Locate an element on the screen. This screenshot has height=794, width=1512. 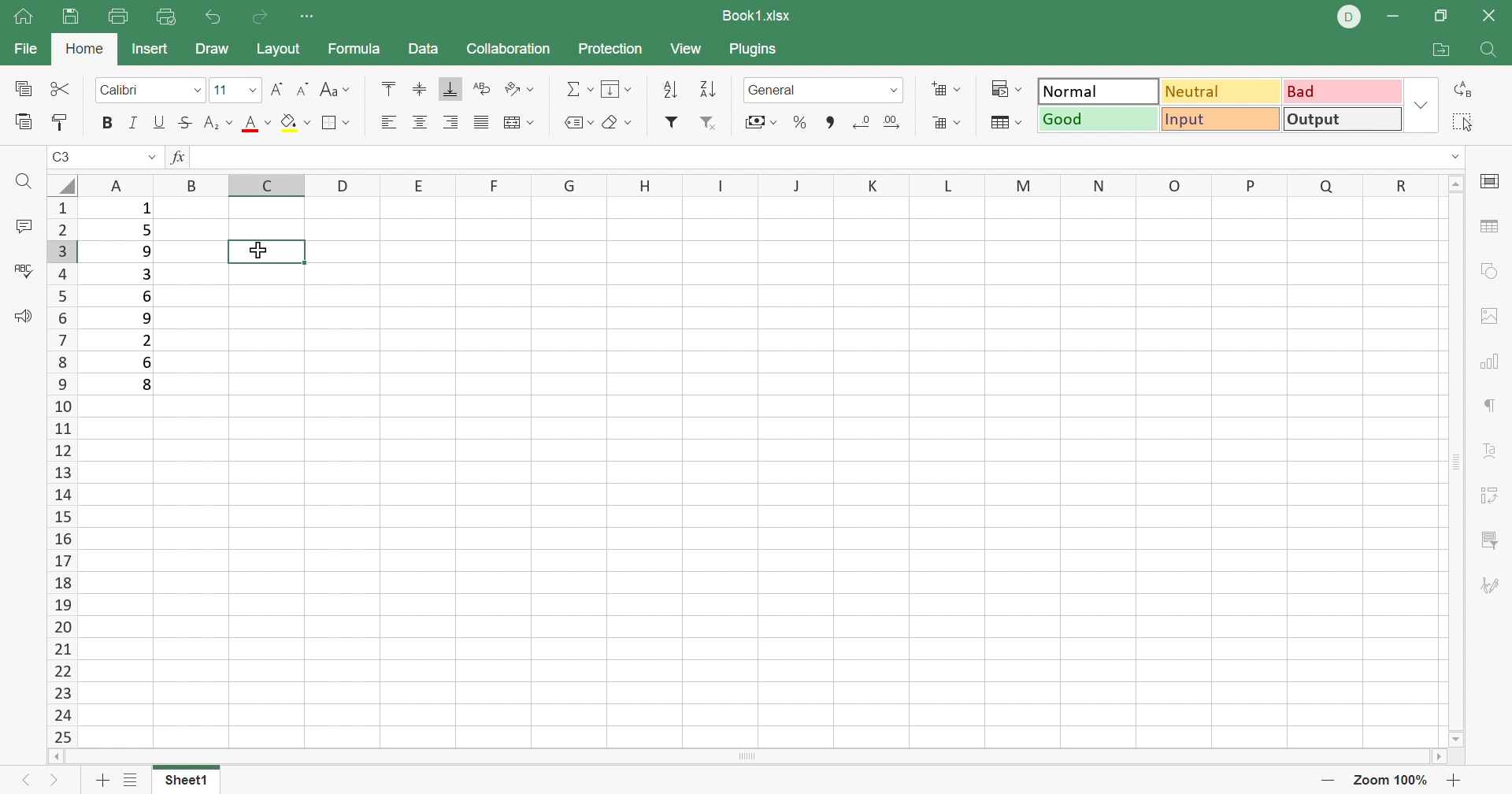
Select all is located at coordinates (1462, 121).